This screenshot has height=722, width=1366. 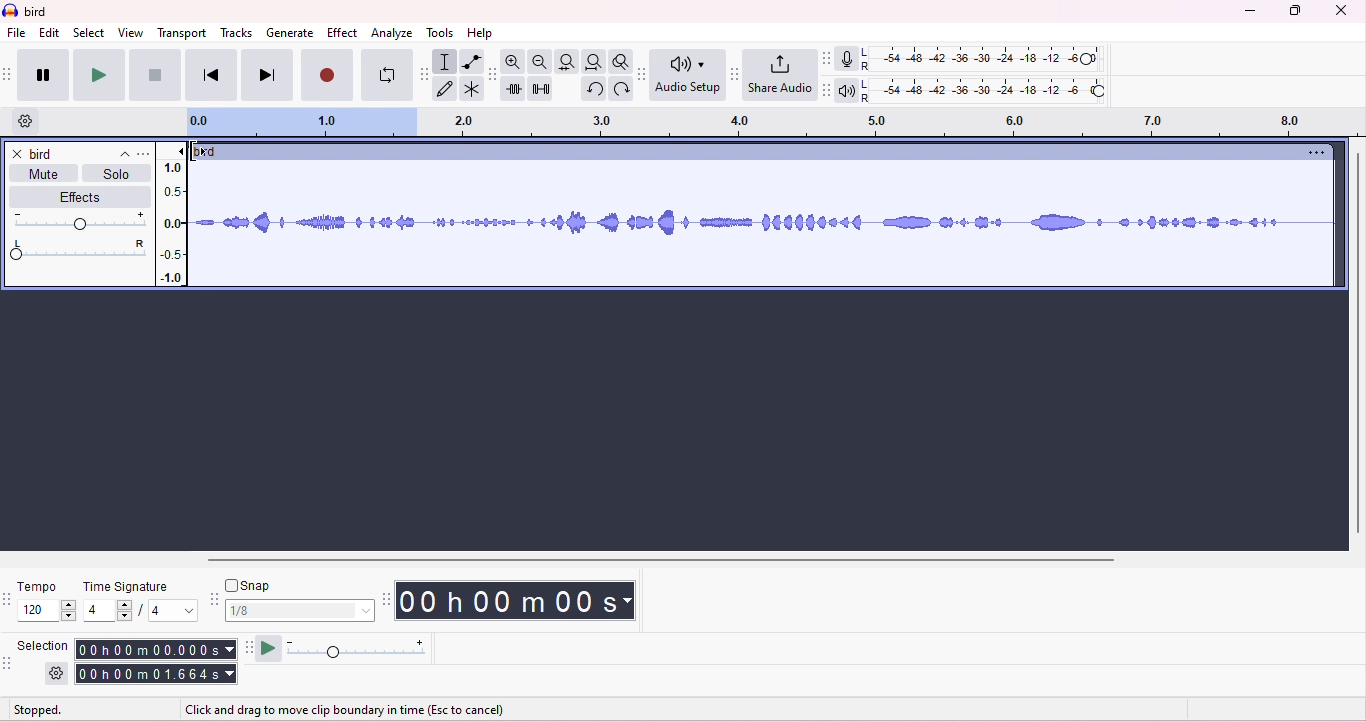 What do you see at coordinates (689, 76) in the screenshot?
I see `audio set up ` at bounding box center [689, 76].